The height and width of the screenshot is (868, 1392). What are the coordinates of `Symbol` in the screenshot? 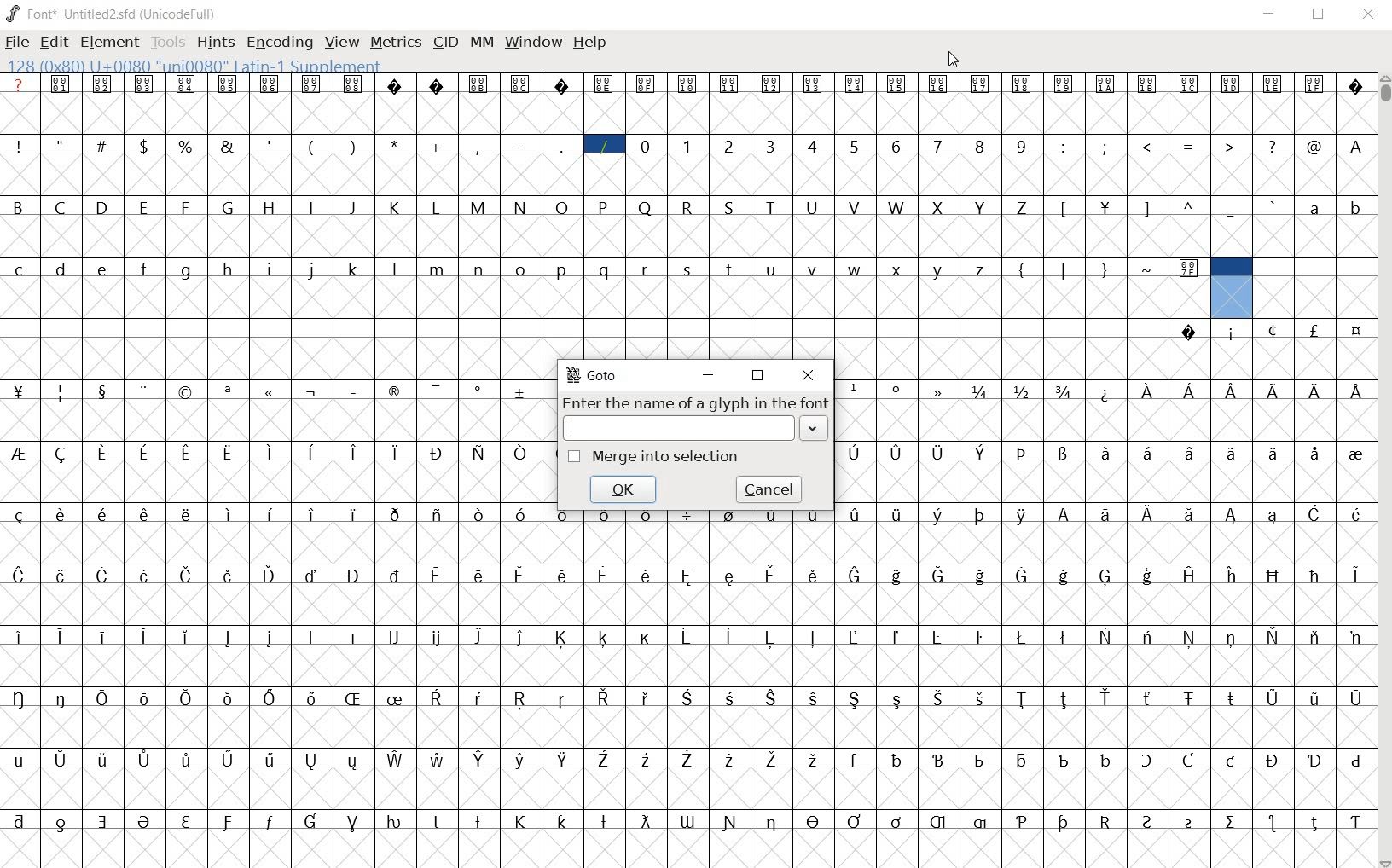 It's located at (146, 820).